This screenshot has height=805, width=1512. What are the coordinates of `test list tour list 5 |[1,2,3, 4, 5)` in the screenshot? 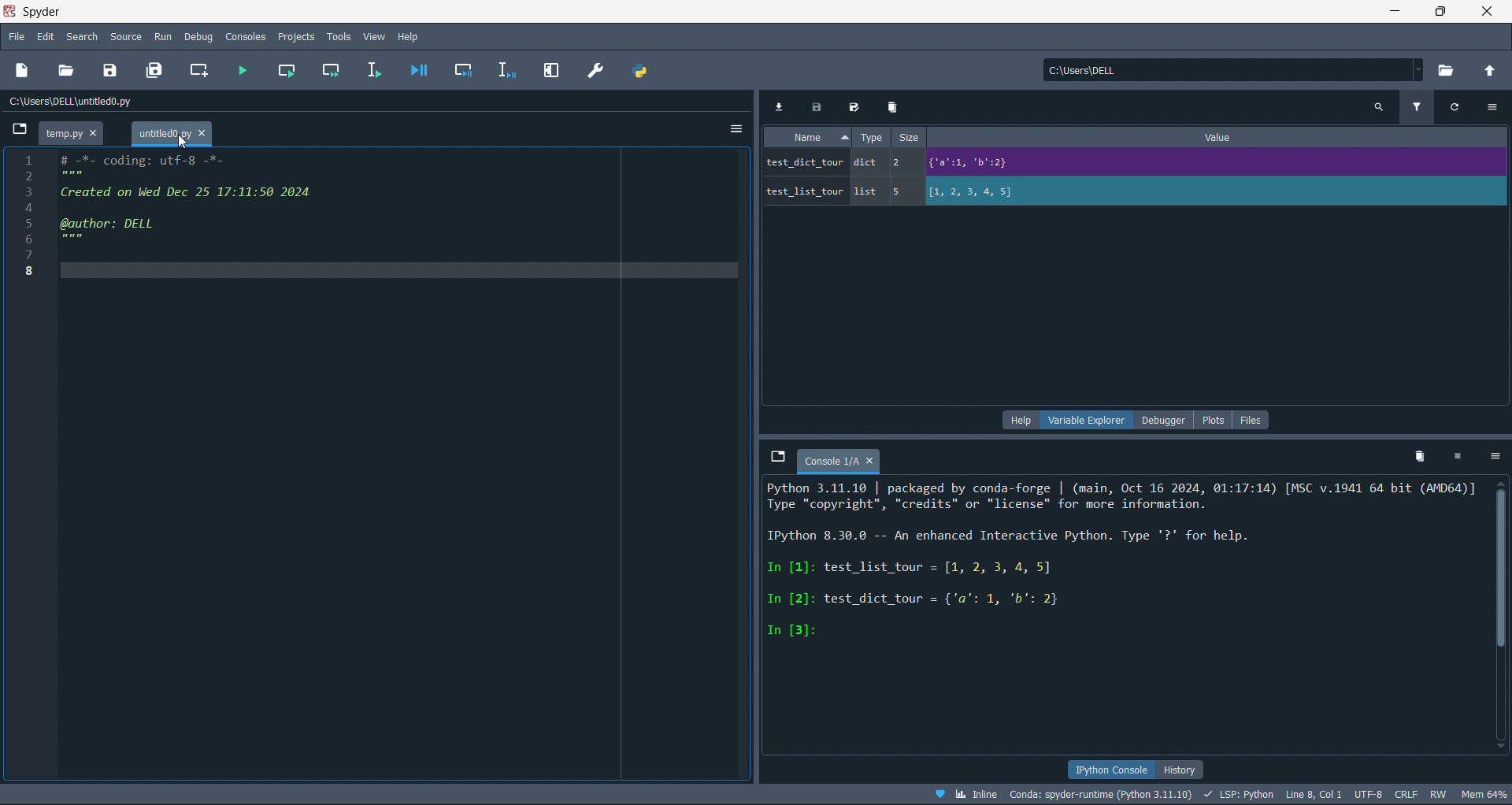 It's located at (914, 195).